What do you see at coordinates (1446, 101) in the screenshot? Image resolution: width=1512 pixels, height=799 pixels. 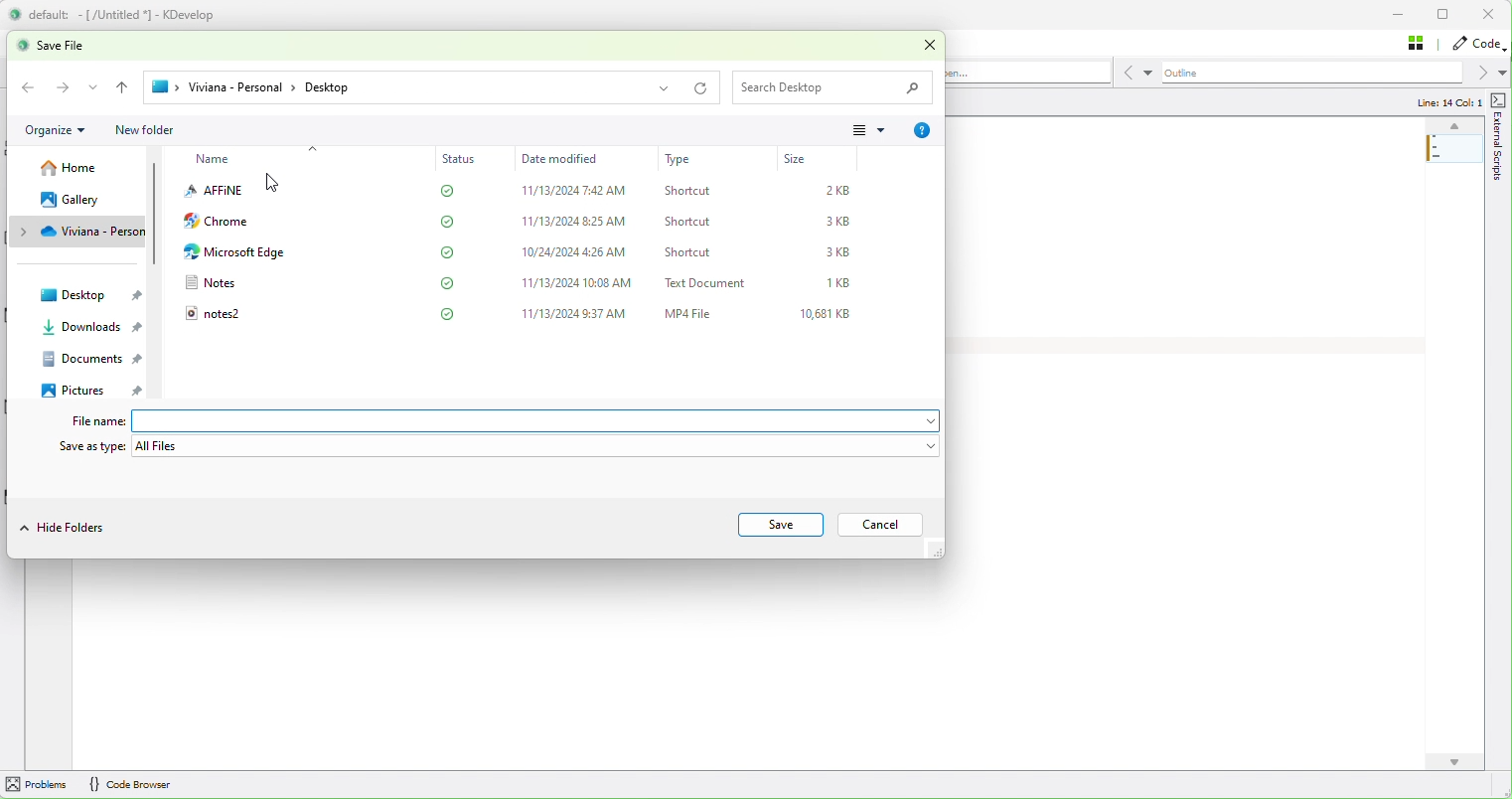 I see `line: 14 Col: 1` at bounding box center [1446, 101].